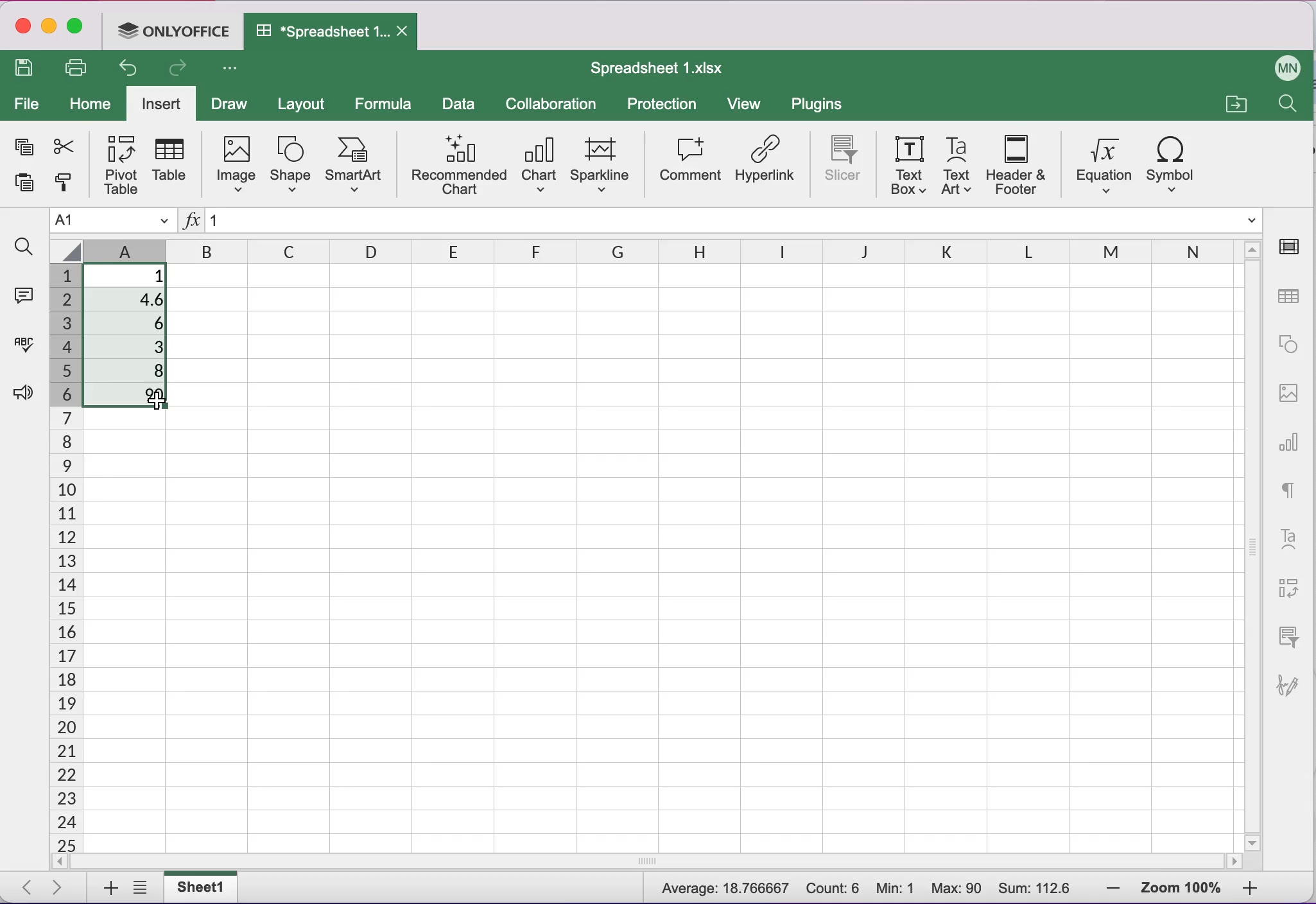 The image size is (1316, 904). Describe the element at coordinates (1290, 342) in the screenshot. I see `shape` at that location.